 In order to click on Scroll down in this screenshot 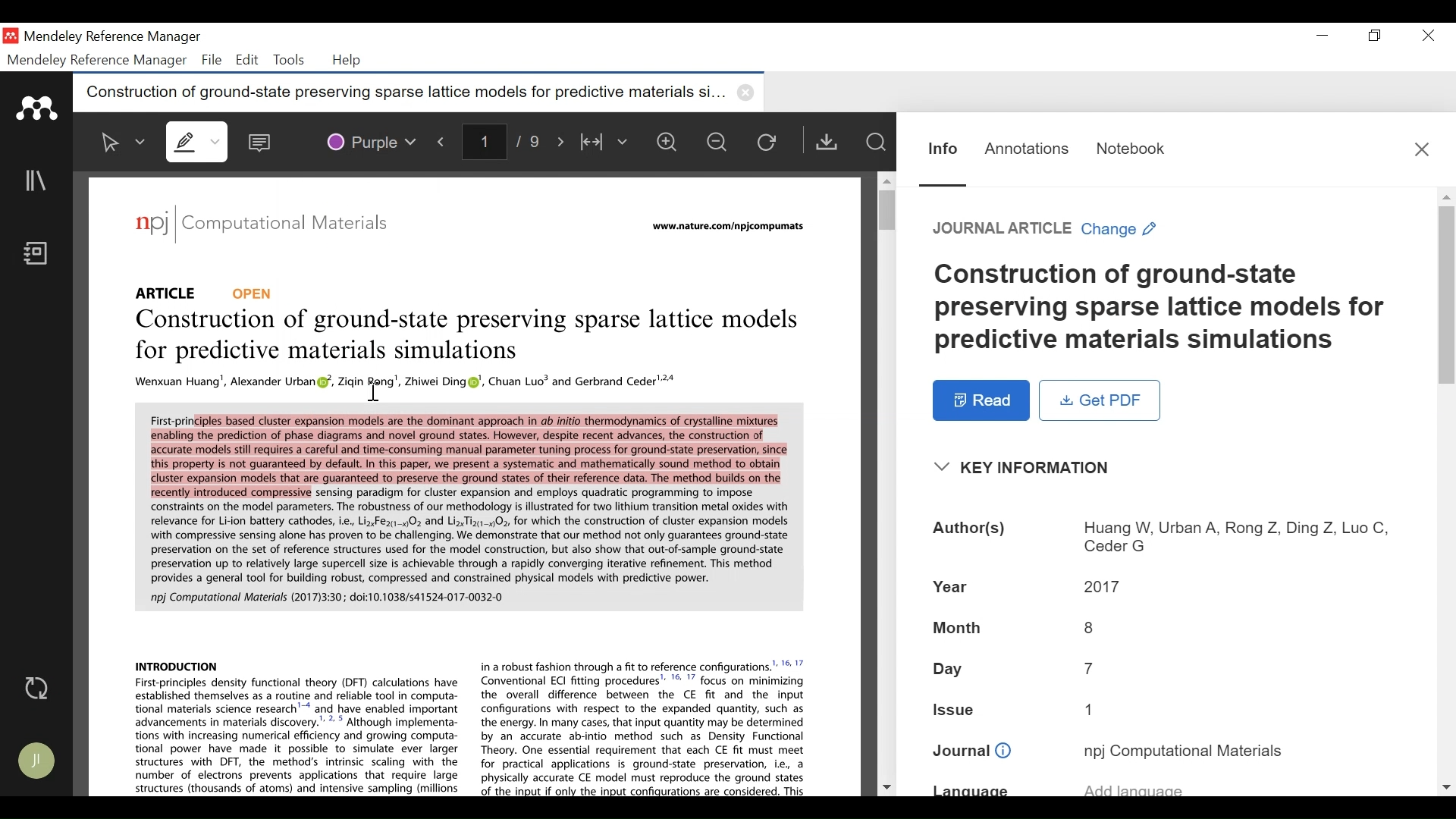, I will do `click(1445, 786)`.